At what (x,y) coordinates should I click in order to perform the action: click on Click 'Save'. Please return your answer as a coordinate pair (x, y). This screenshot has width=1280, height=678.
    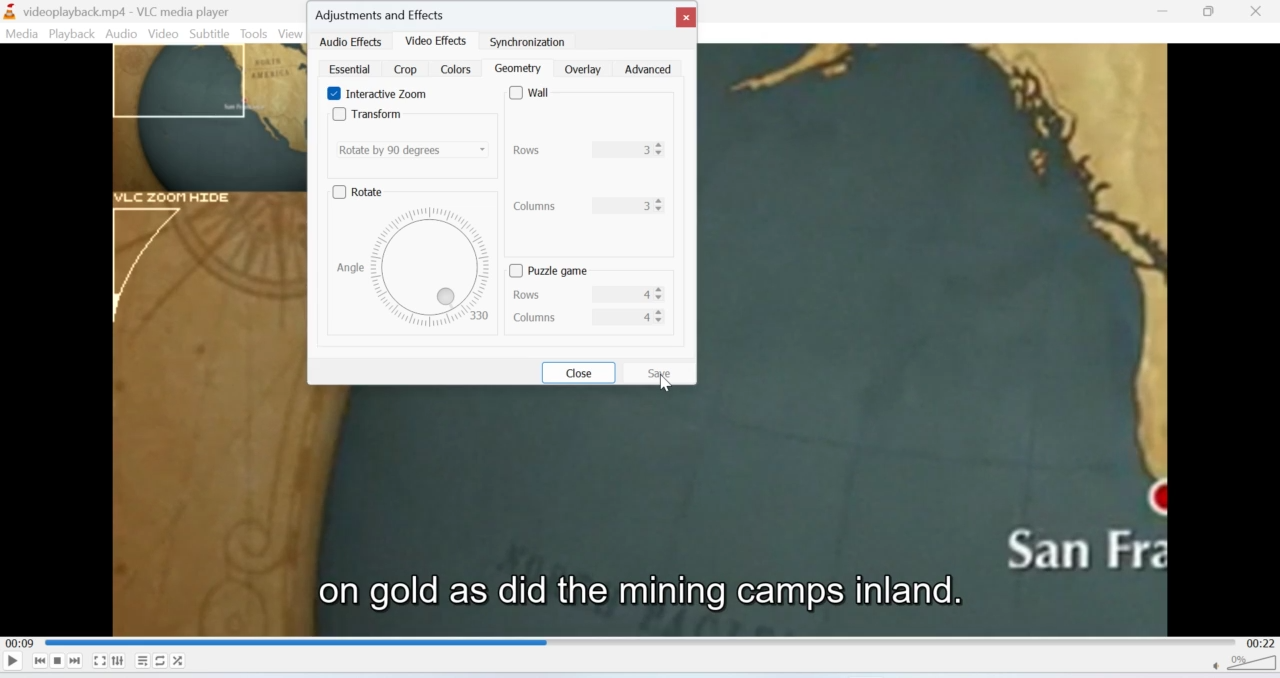
    Looking at the image, I should click on (663, 373).